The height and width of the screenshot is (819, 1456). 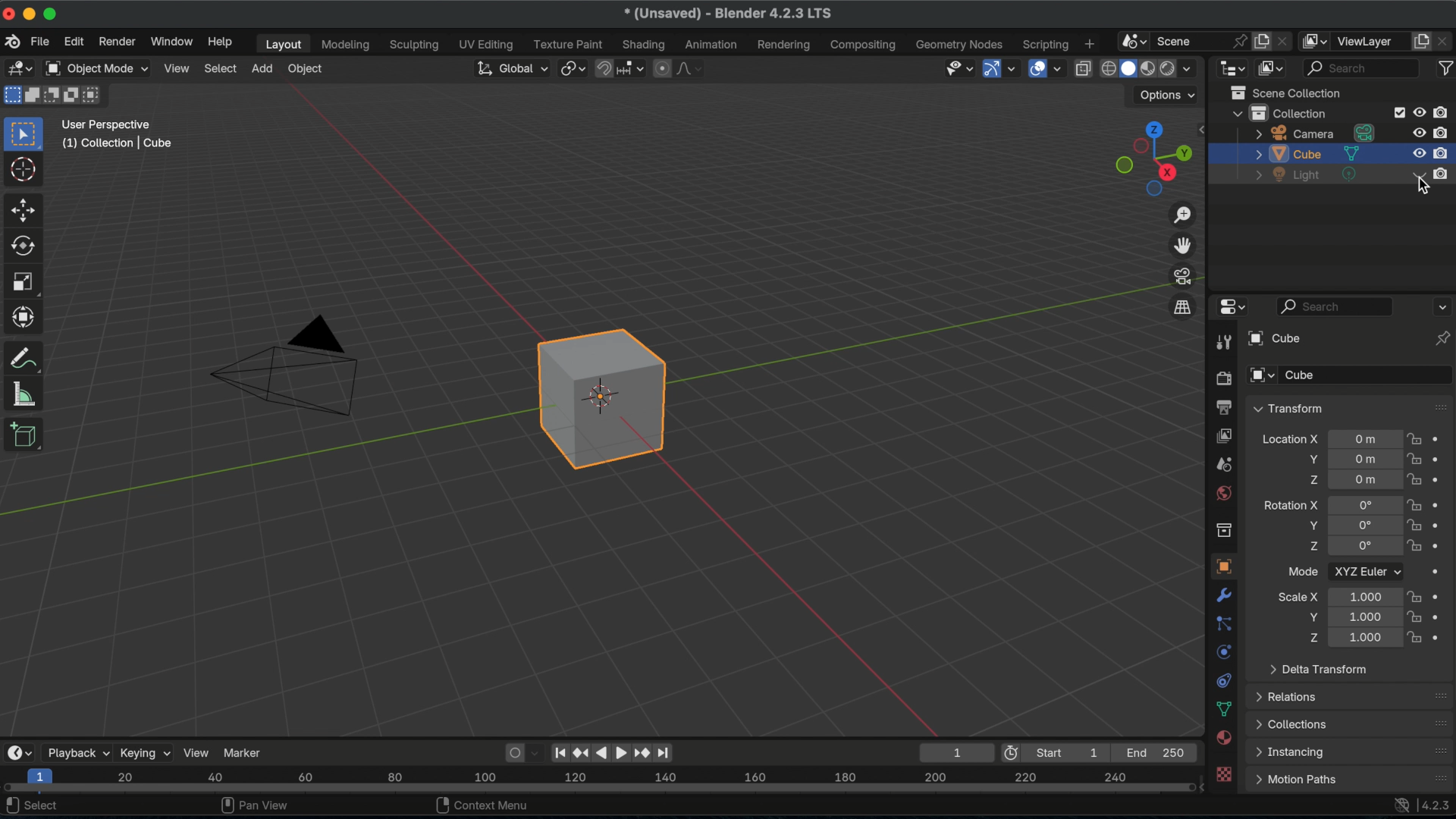 I want to click on transform pivot point, so click(x=573, y=67).